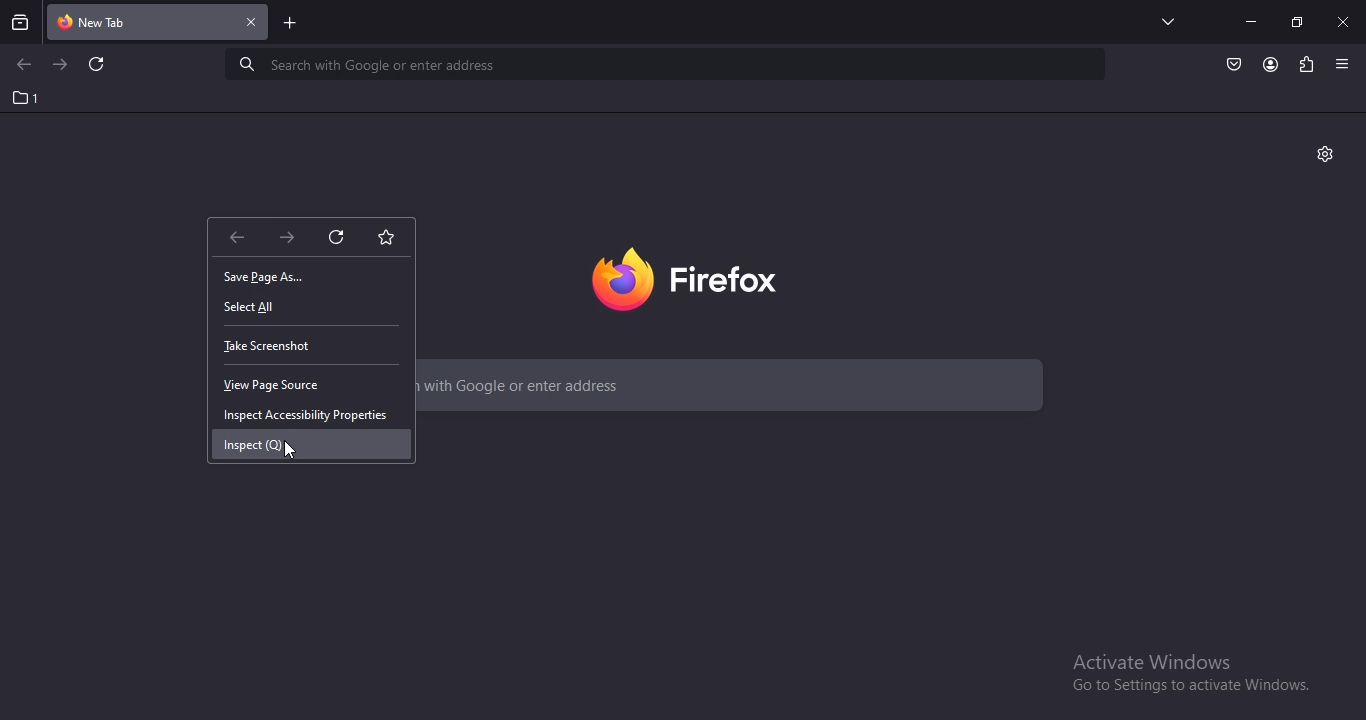 This screenshot has width=1366, height=720. I want to click on close, so click(1345, 21).